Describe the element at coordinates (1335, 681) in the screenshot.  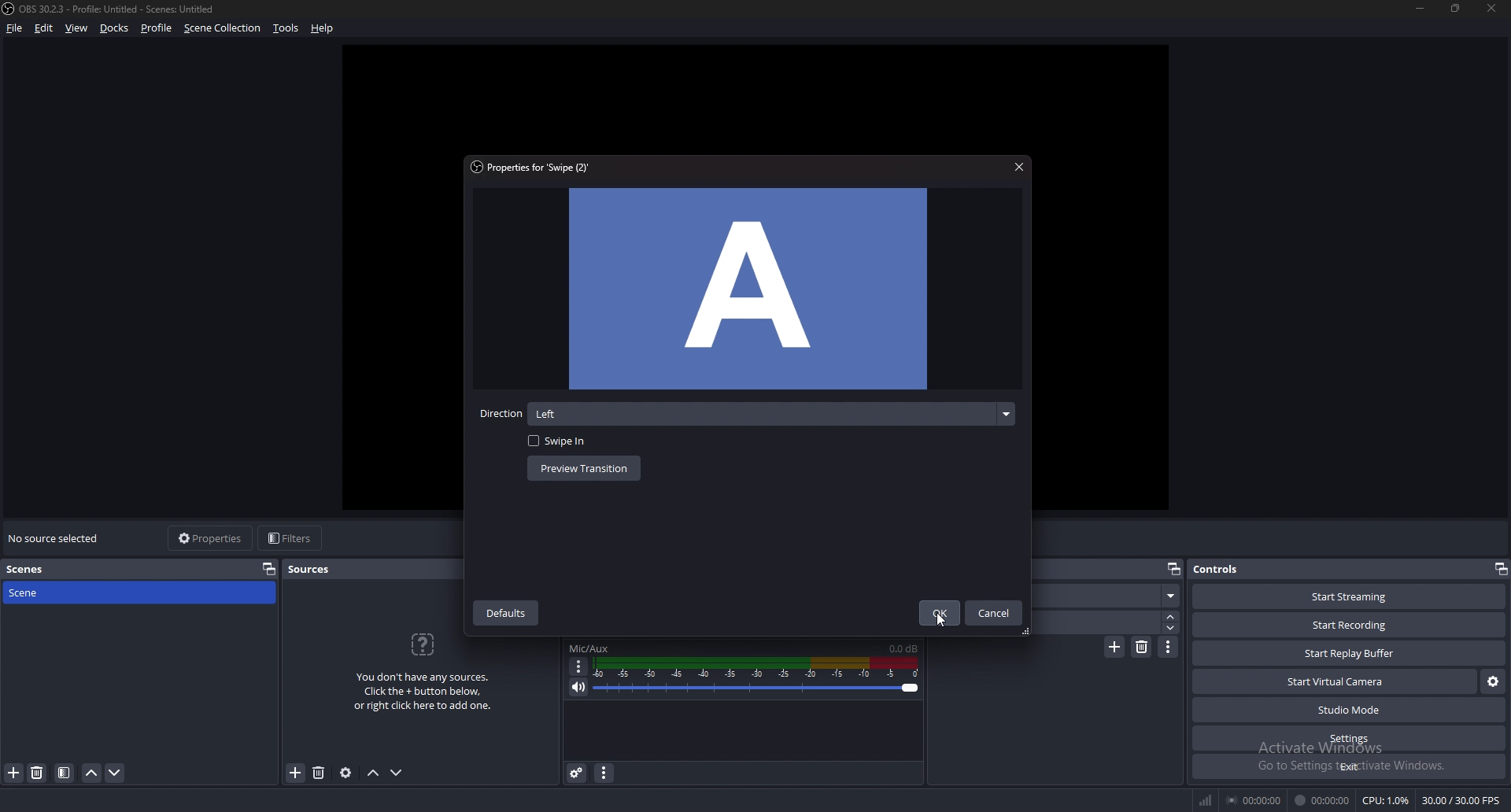
I see `start virtual camera` at that location.